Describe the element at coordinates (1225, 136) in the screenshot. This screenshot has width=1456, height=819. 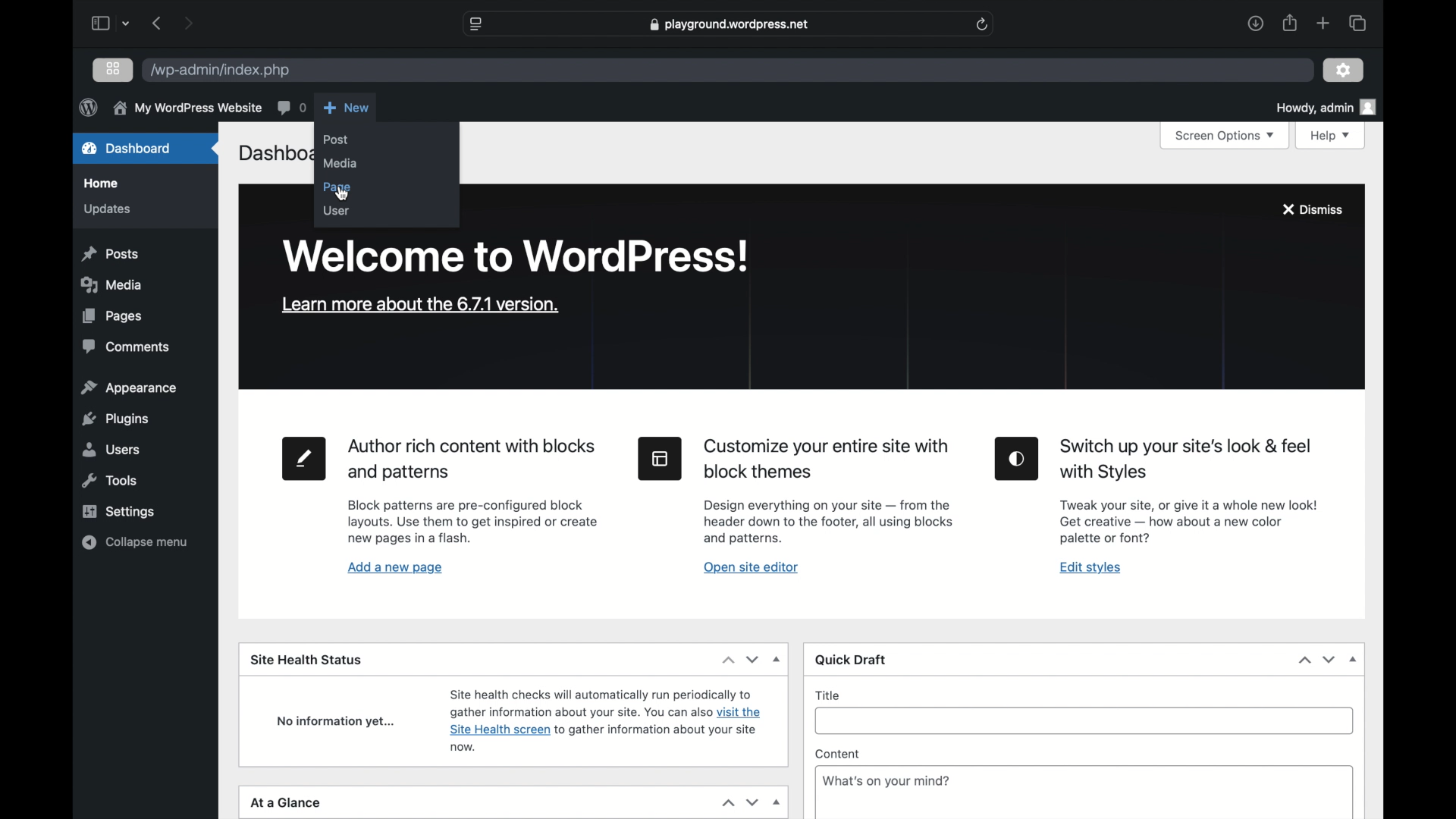
I see `screen options` at that location.